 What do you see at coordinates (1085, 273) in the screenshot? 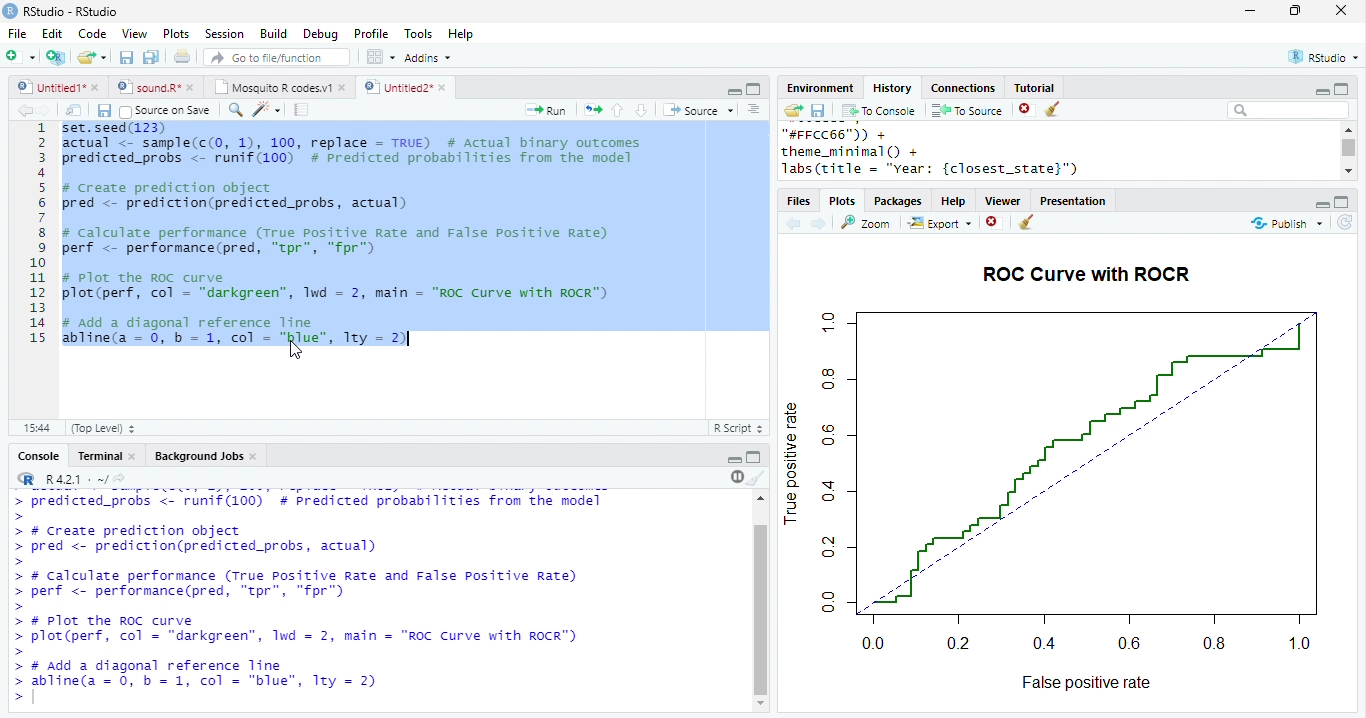
I see `ROC Curve with ROCR` at bounding box center [1085, 273].